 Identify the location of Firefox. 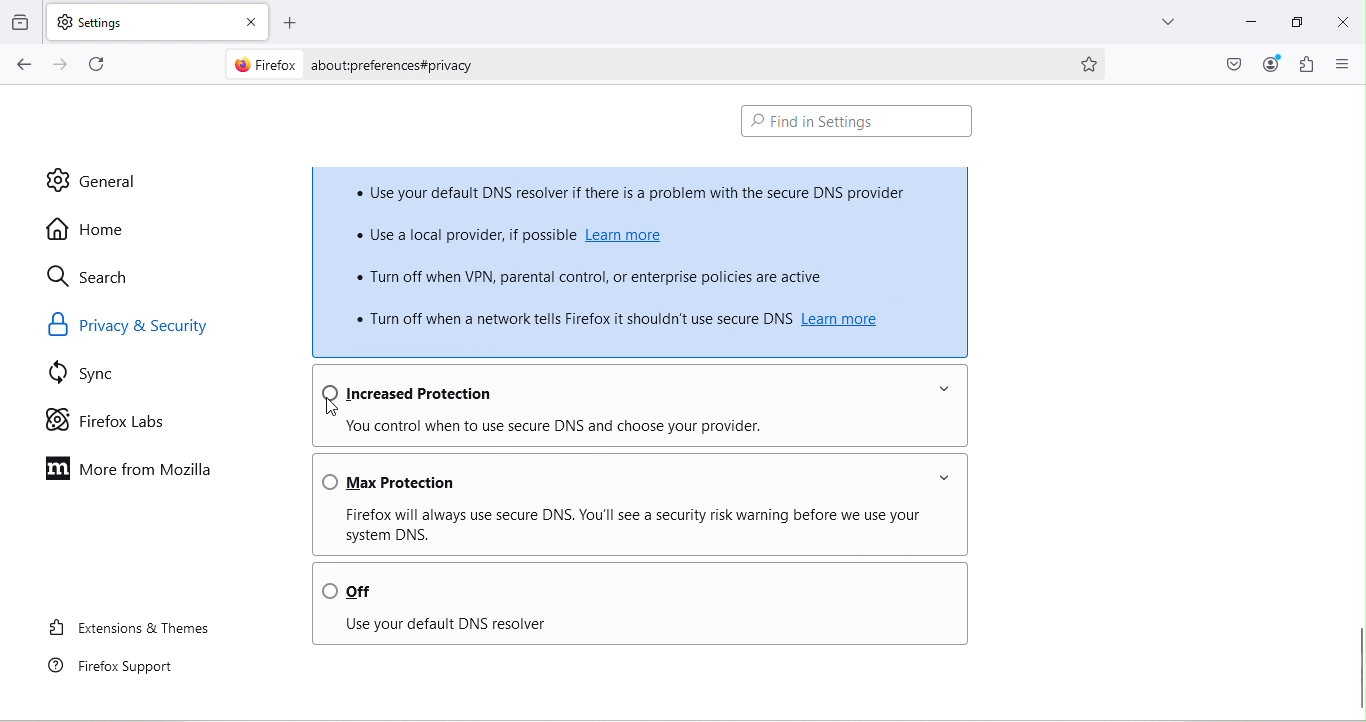
(261, 66).